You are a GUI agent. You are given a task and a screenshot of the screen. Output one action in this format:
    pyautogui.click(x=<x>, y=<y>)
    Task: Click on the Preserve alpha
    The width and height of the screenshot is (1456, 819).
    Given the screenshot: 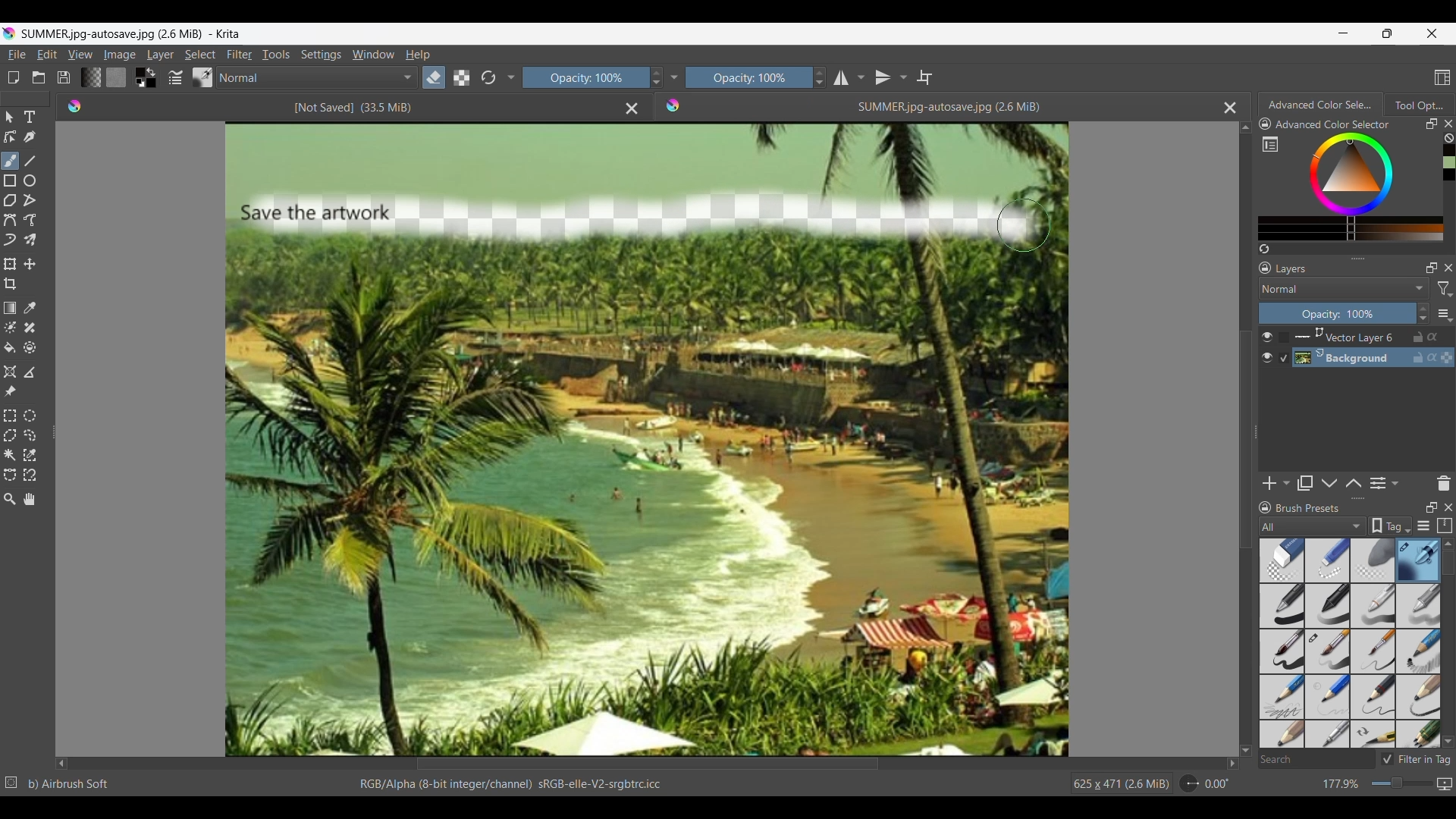 What is the action you would take?
    pyautogui.click(x=462, y=77)
    